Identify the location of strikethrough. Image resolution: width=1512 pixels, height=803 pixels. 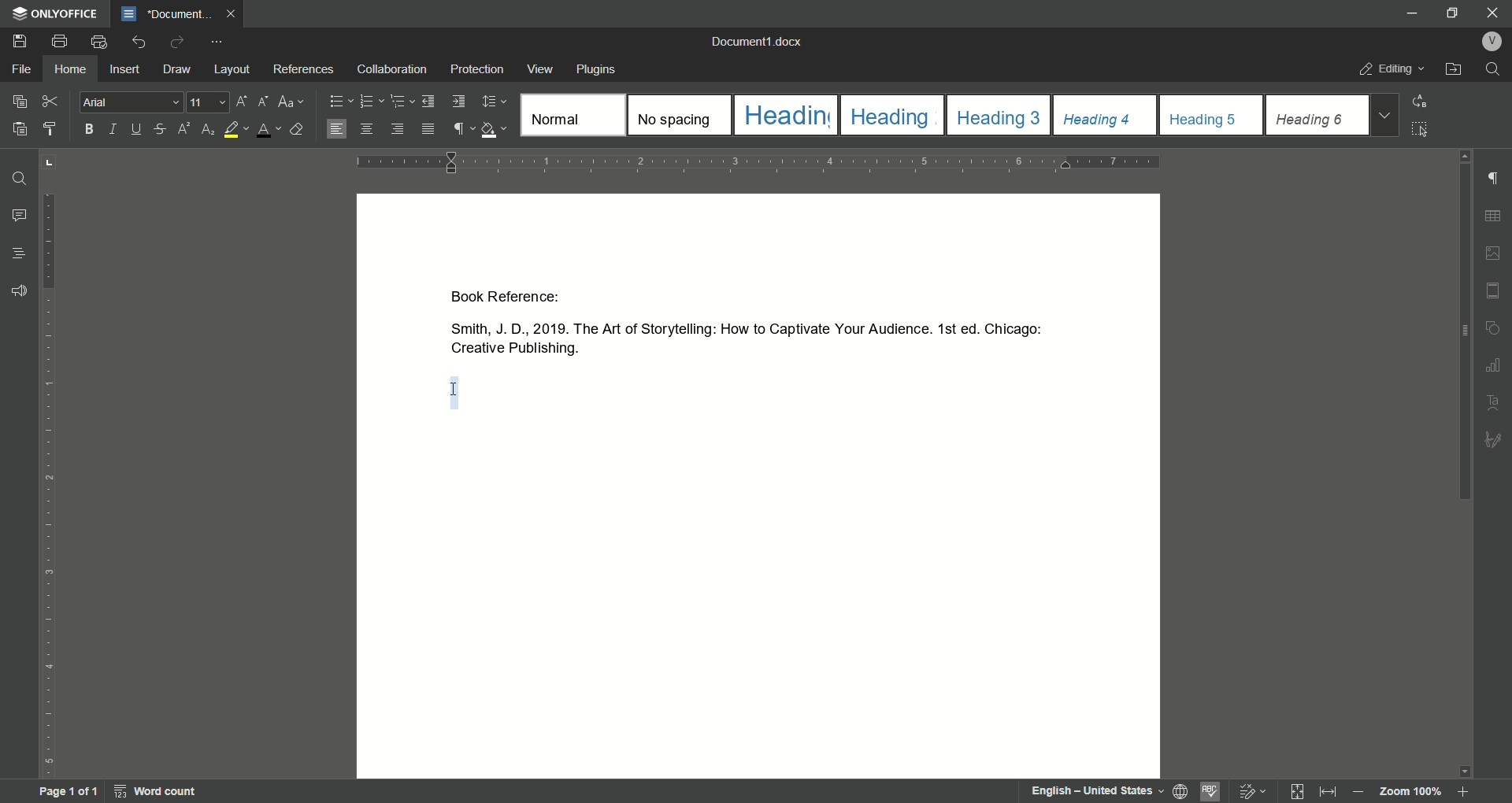
(160, 130).